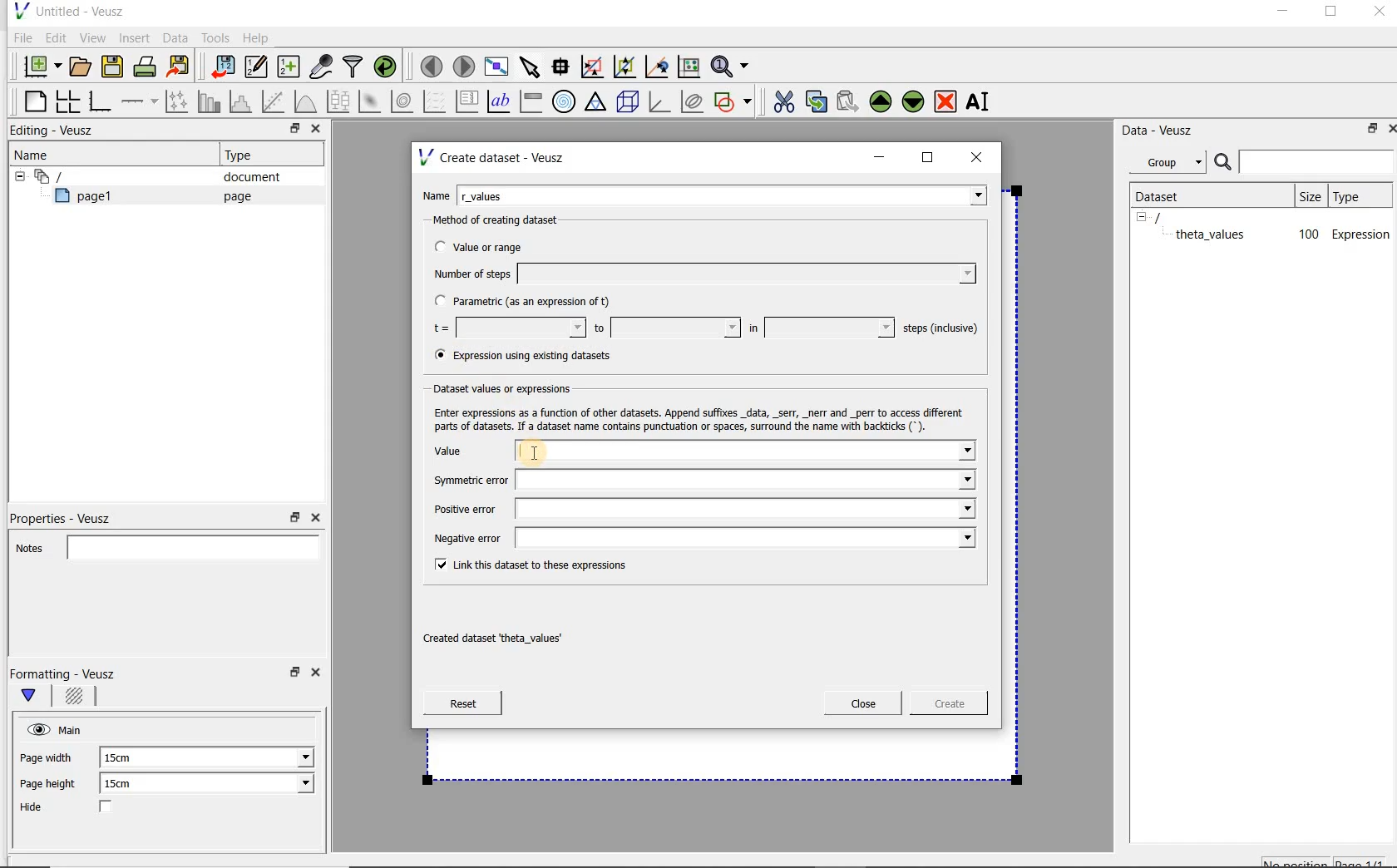  I want to click on File, so click(20, 38).